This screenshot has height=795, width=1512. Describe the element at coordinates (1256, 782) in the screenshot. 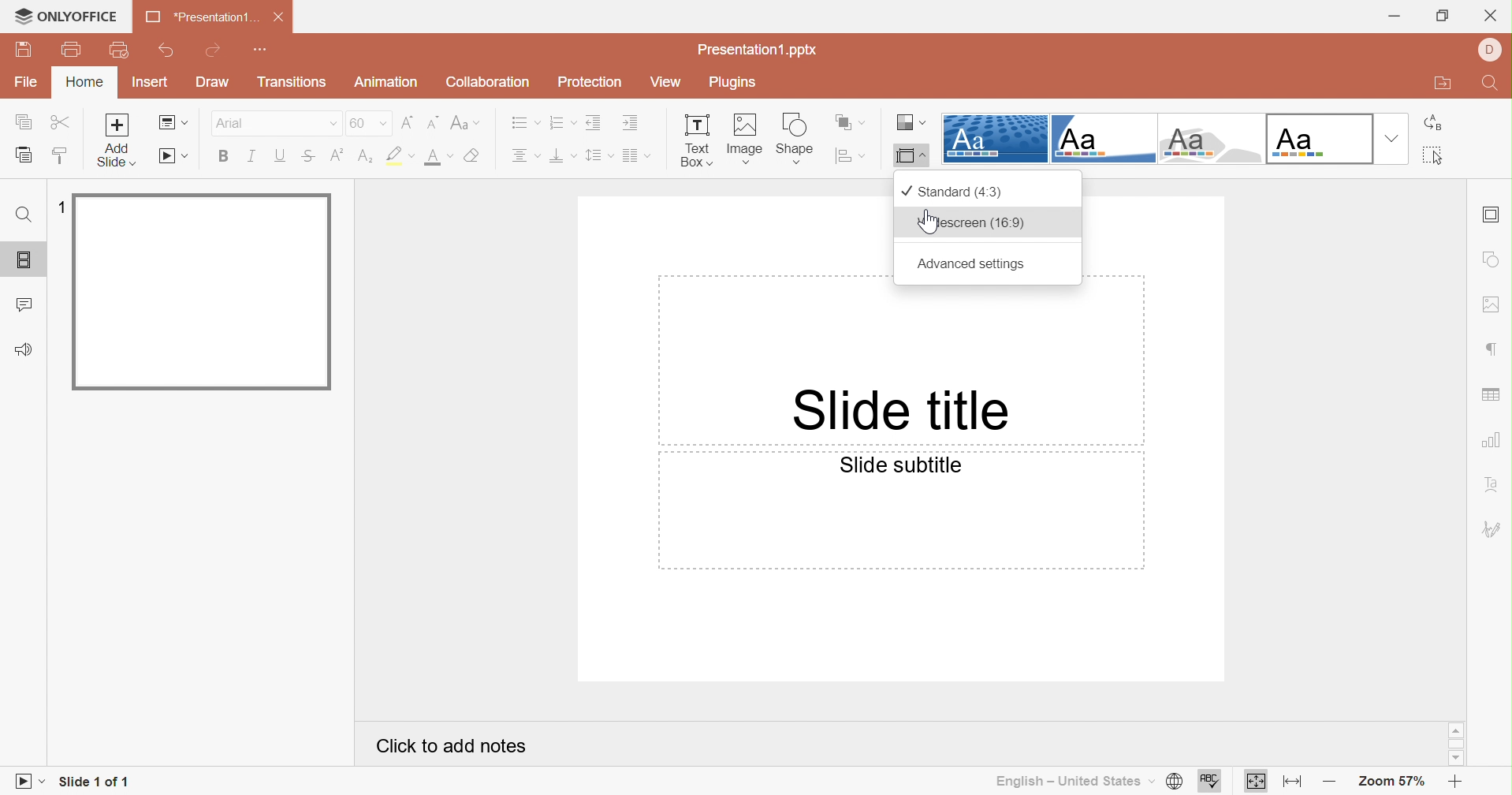

I see `Fit to slide` at that location.